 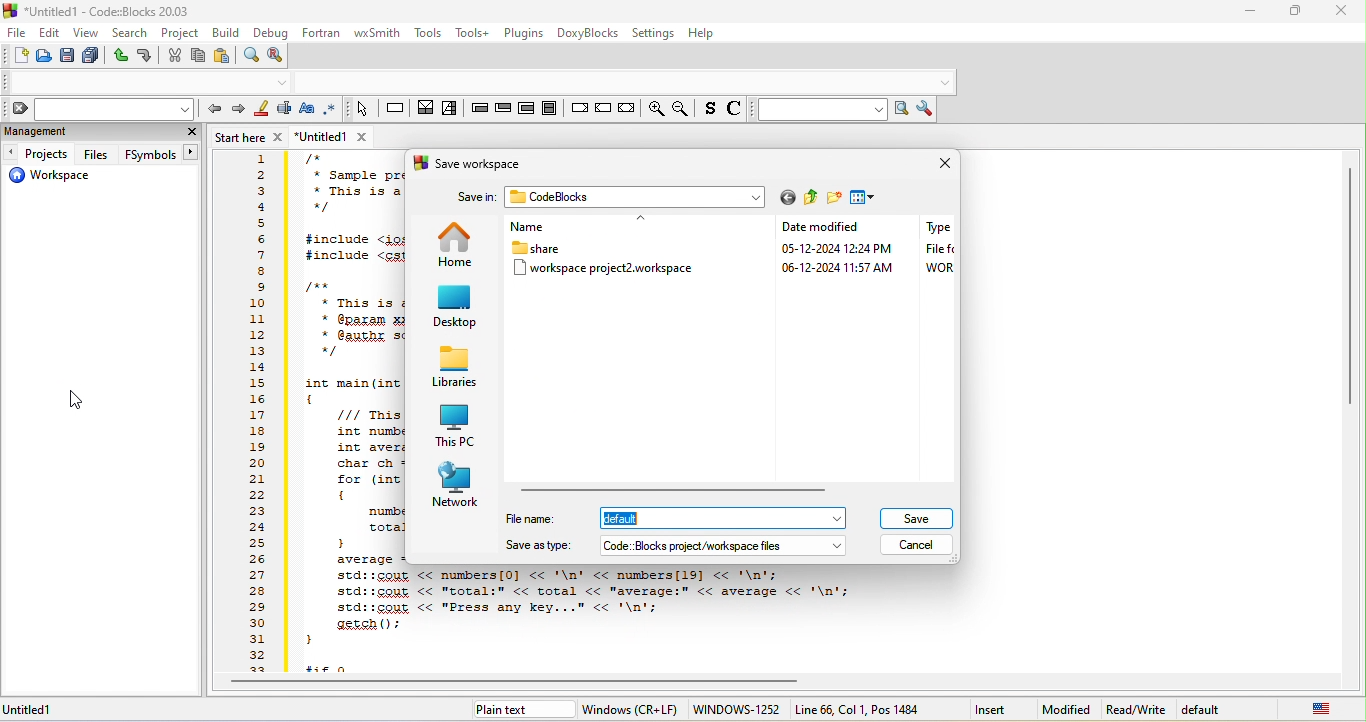 What do you see at coordinates (476, 199) in the screenshot?
I see `save in` at bounding box center [476, 199].